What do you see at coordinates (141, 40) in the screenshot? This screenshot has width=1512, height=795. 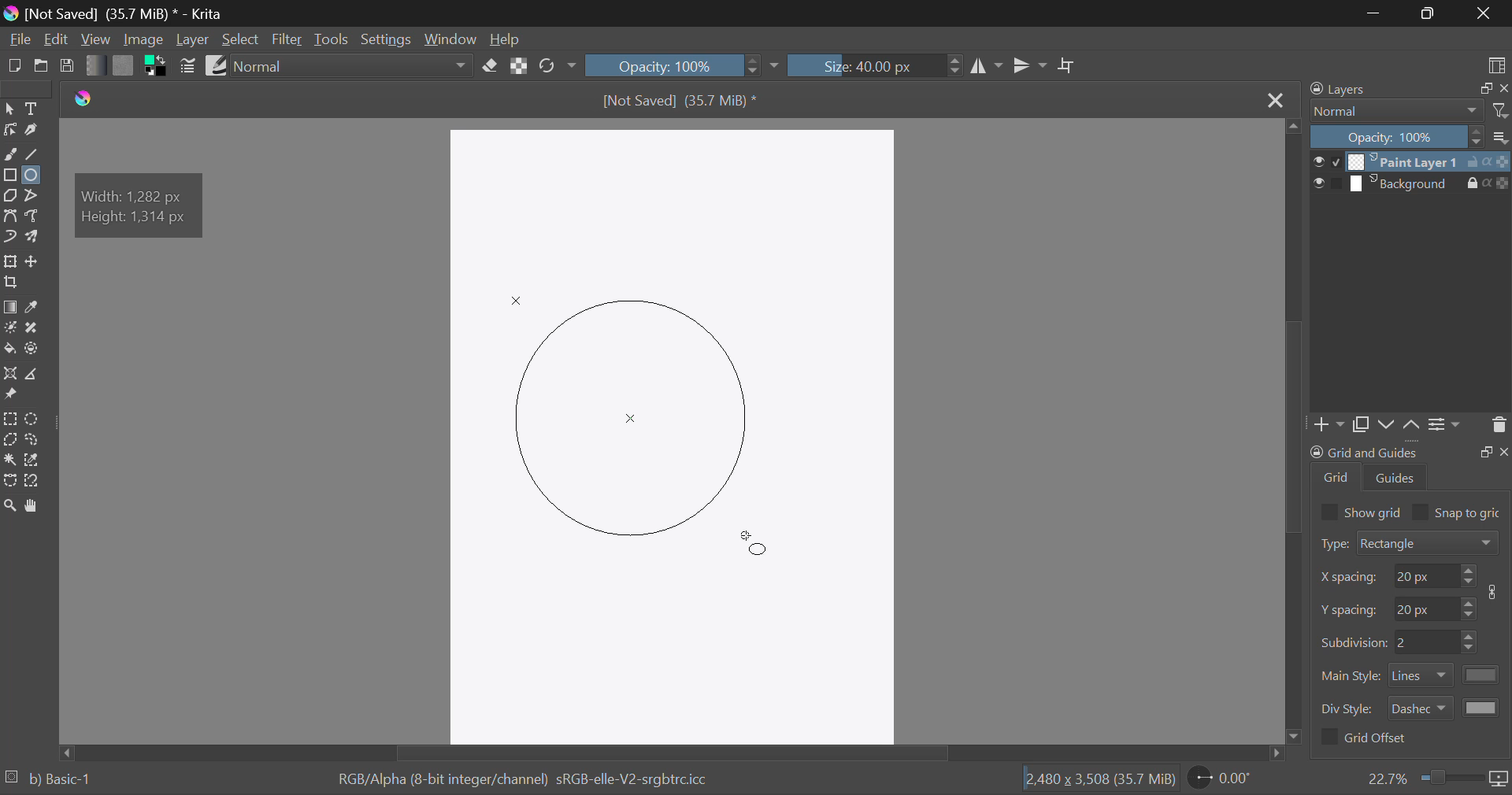 I see `Image` at bounding box center [141, 40].